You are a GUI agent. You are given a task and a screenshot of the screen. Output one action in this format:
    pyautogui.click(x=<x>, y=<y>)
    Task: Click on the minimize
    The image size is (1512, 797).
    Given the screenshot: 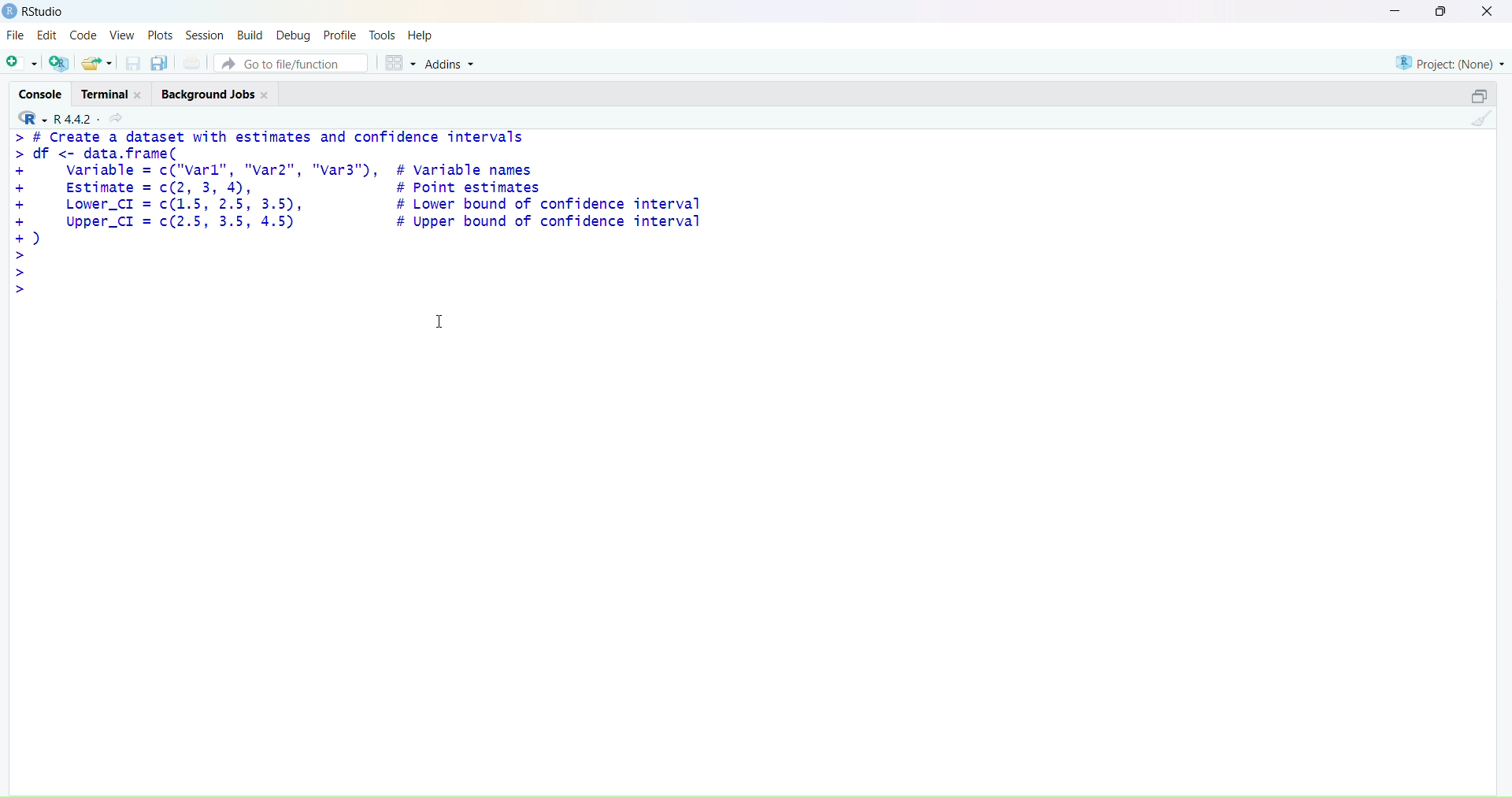 What is the action you would take?
    pyautogui.click(x=1396, y=11)
    